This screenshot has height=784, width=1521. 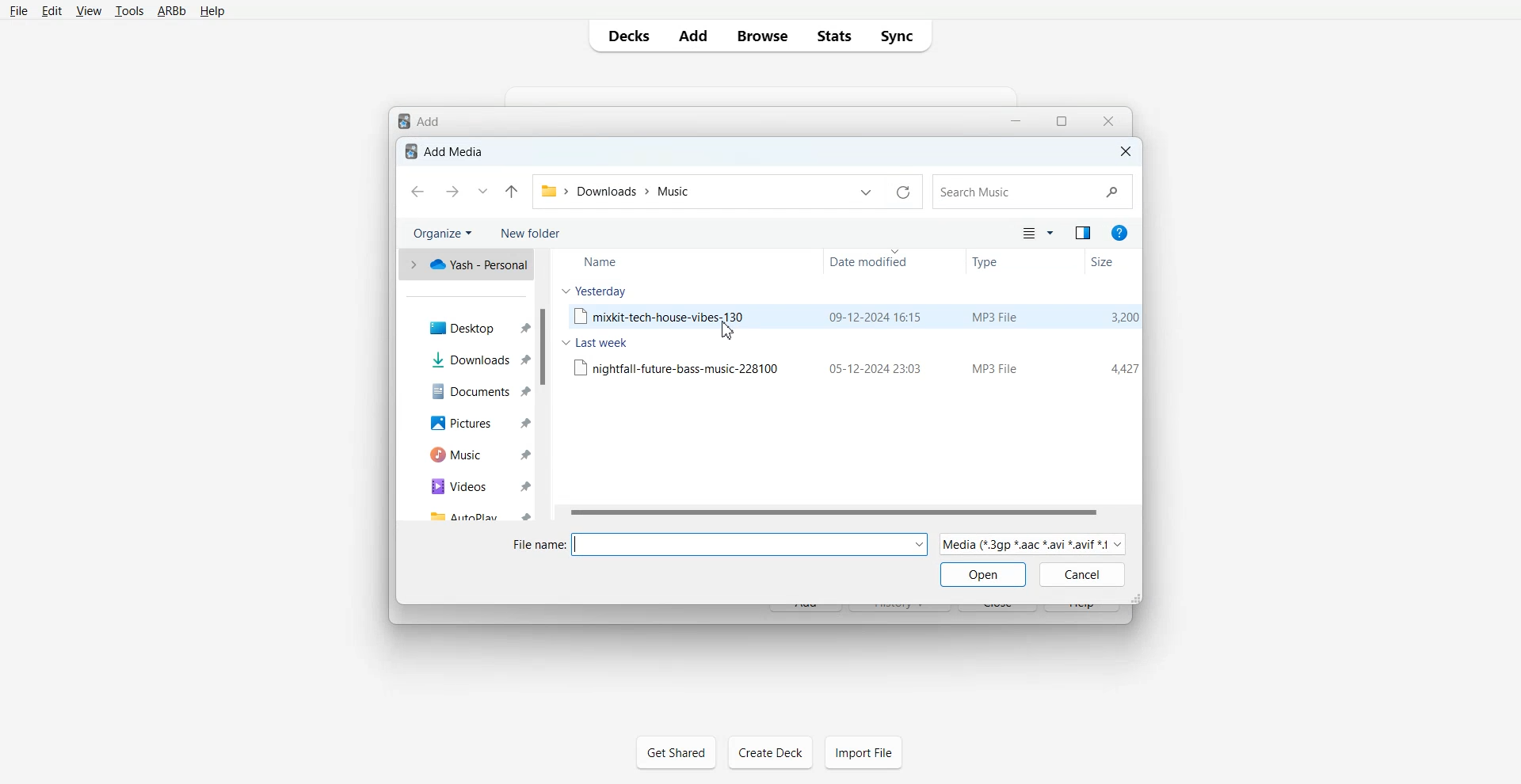 I want to click on Cancel, so click(x=1082, y=574).